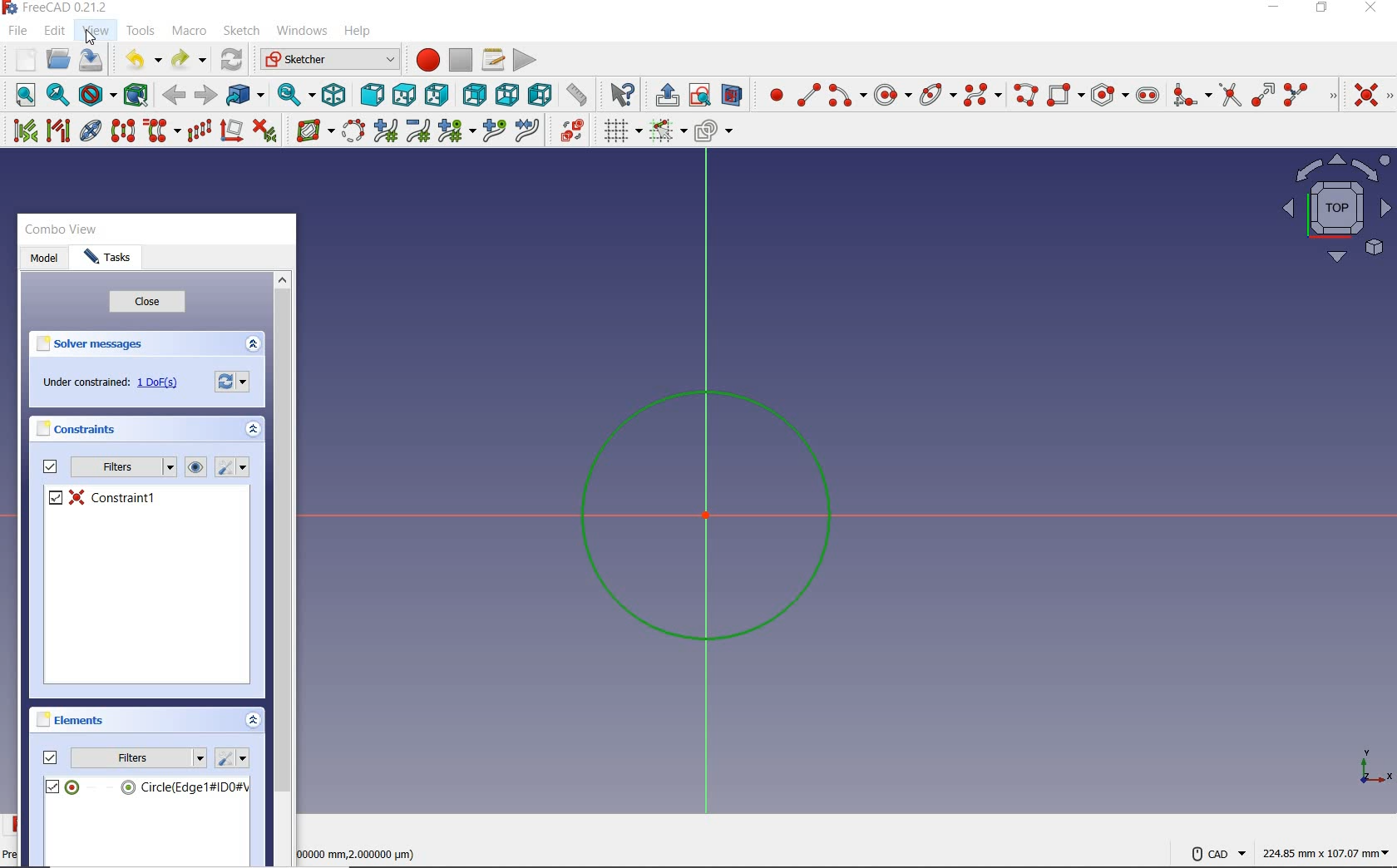 This screenshot has height=868, width=1397. What do you see at coordinates (471, 92) in the screenshot?
I see `rear` at bounding box center [471, 92].